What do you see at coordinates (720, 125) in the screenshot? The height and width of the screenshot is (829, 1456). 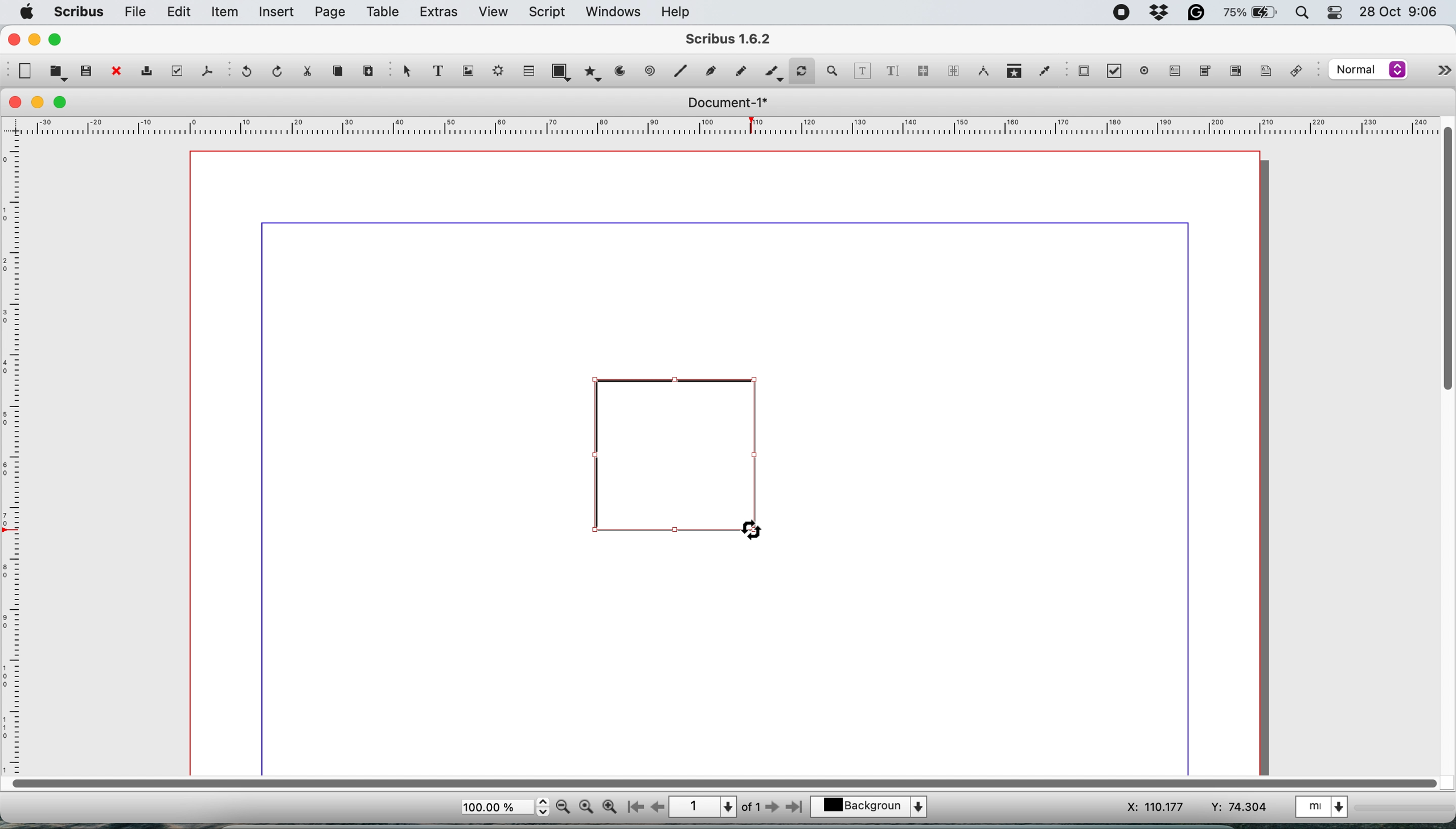 I see `horizontal scale` at bounding box center [720, 125].